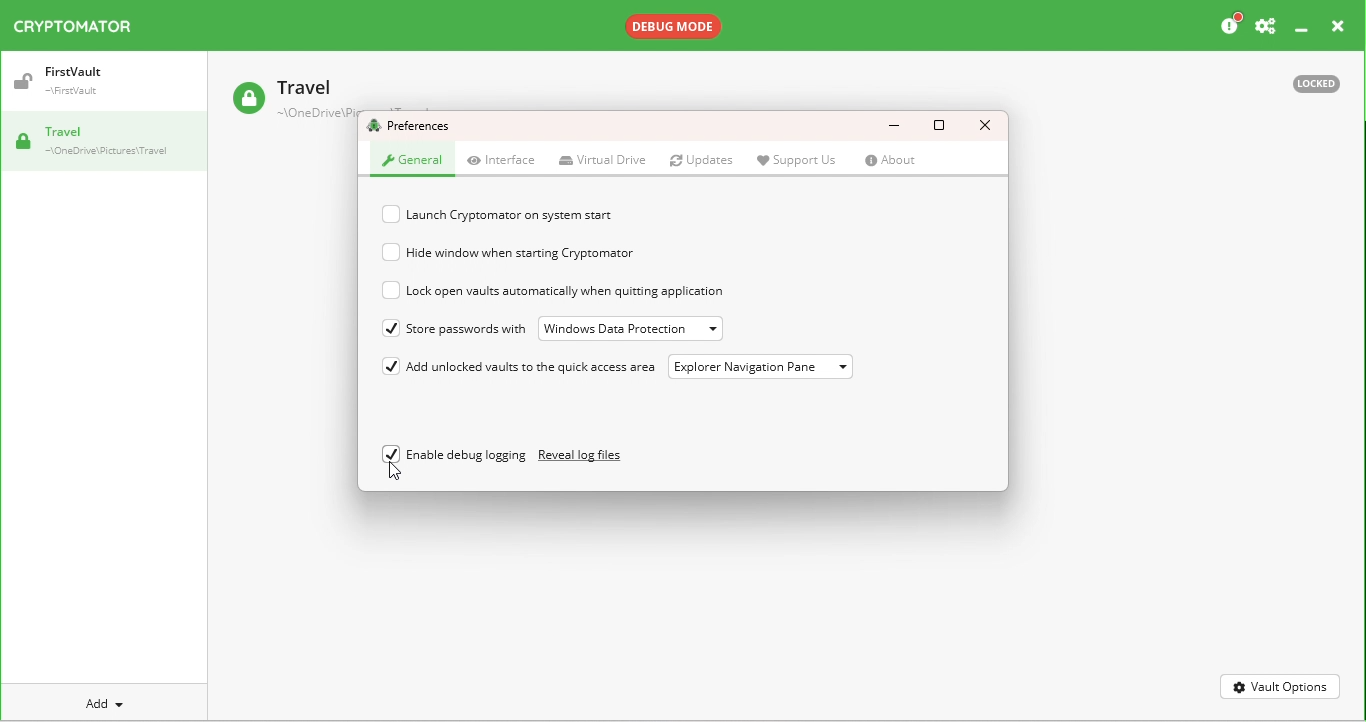 This screenshot has height=722, width=1366. I want to click on General, so click(409, 165).